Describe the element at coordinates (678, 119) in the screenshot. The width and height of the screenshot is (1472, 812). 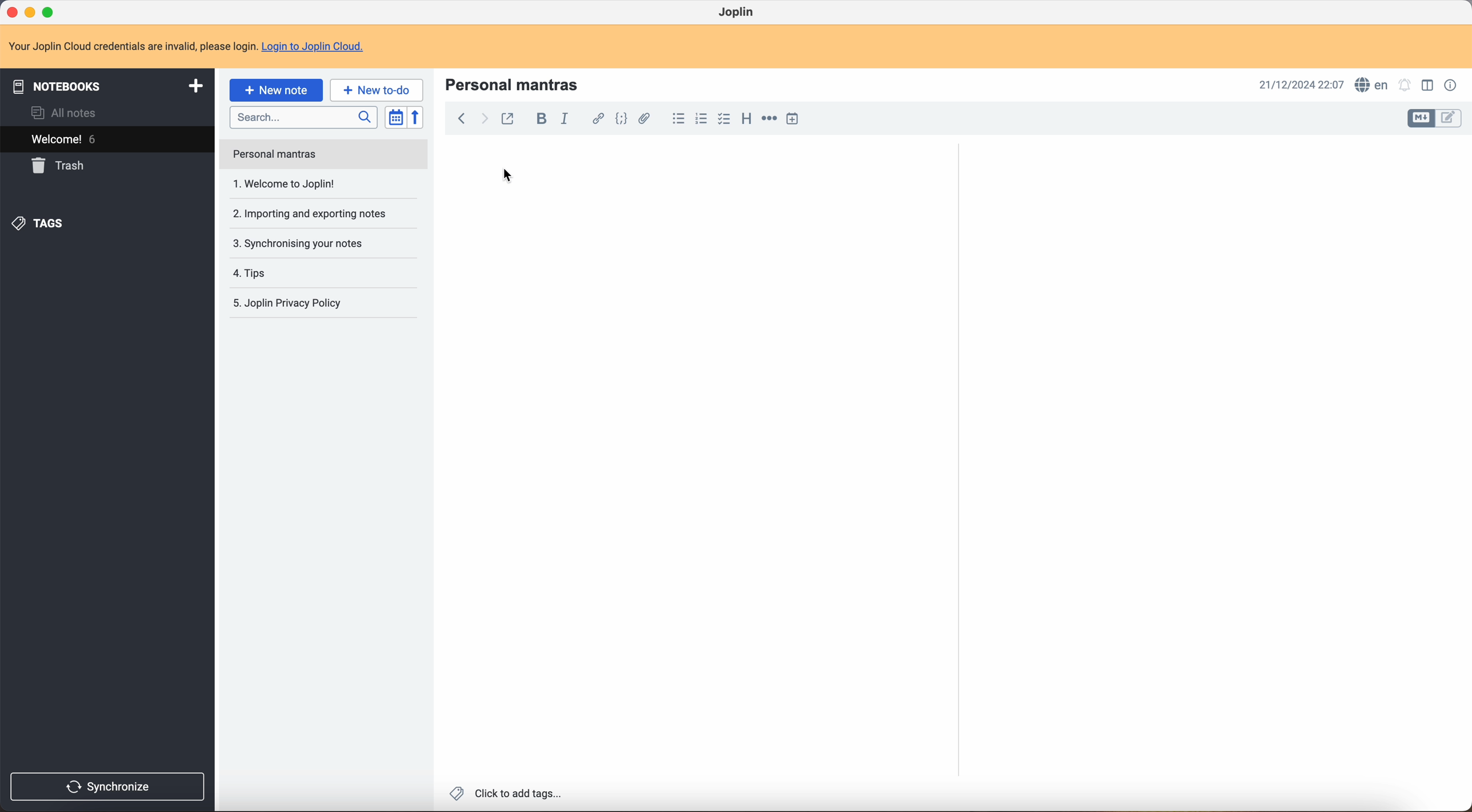
I see `bulleted list` at that location.